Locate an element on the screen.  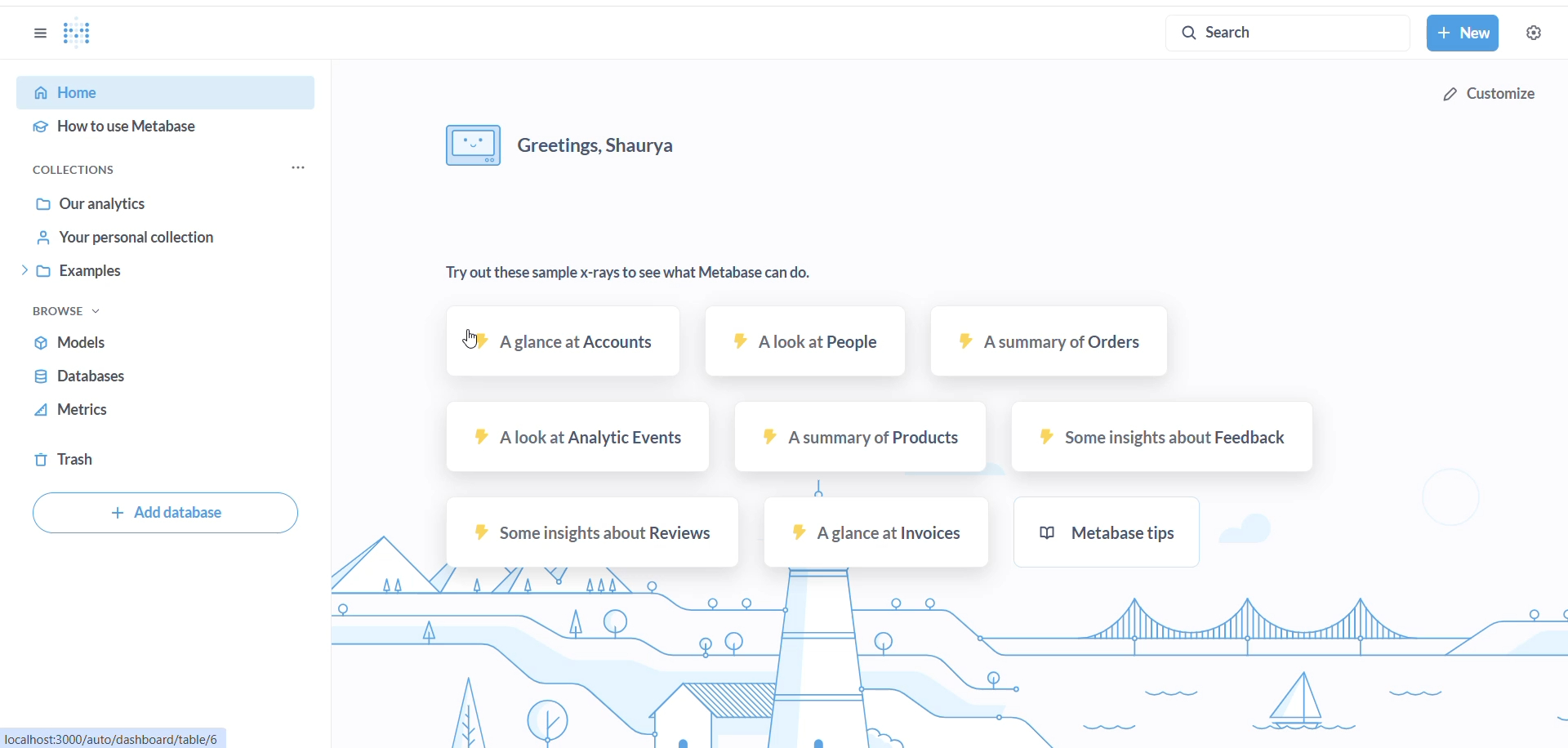
options is located at coordinates (36, 34).